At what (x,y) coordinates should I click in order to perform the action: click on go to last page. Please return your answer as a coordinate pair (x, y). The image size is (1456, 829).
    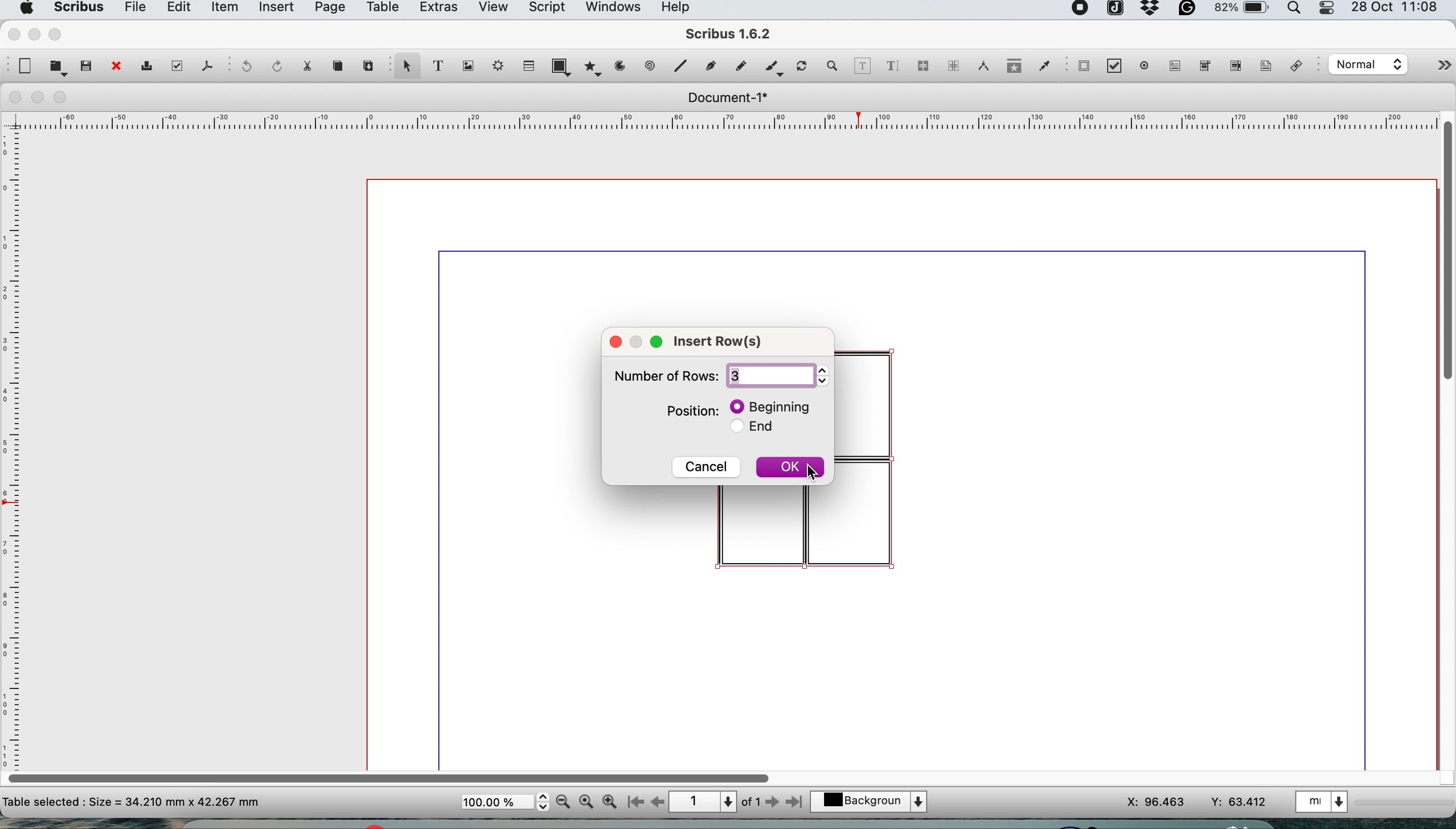
    Looking at the image, I should click on (797, 801).